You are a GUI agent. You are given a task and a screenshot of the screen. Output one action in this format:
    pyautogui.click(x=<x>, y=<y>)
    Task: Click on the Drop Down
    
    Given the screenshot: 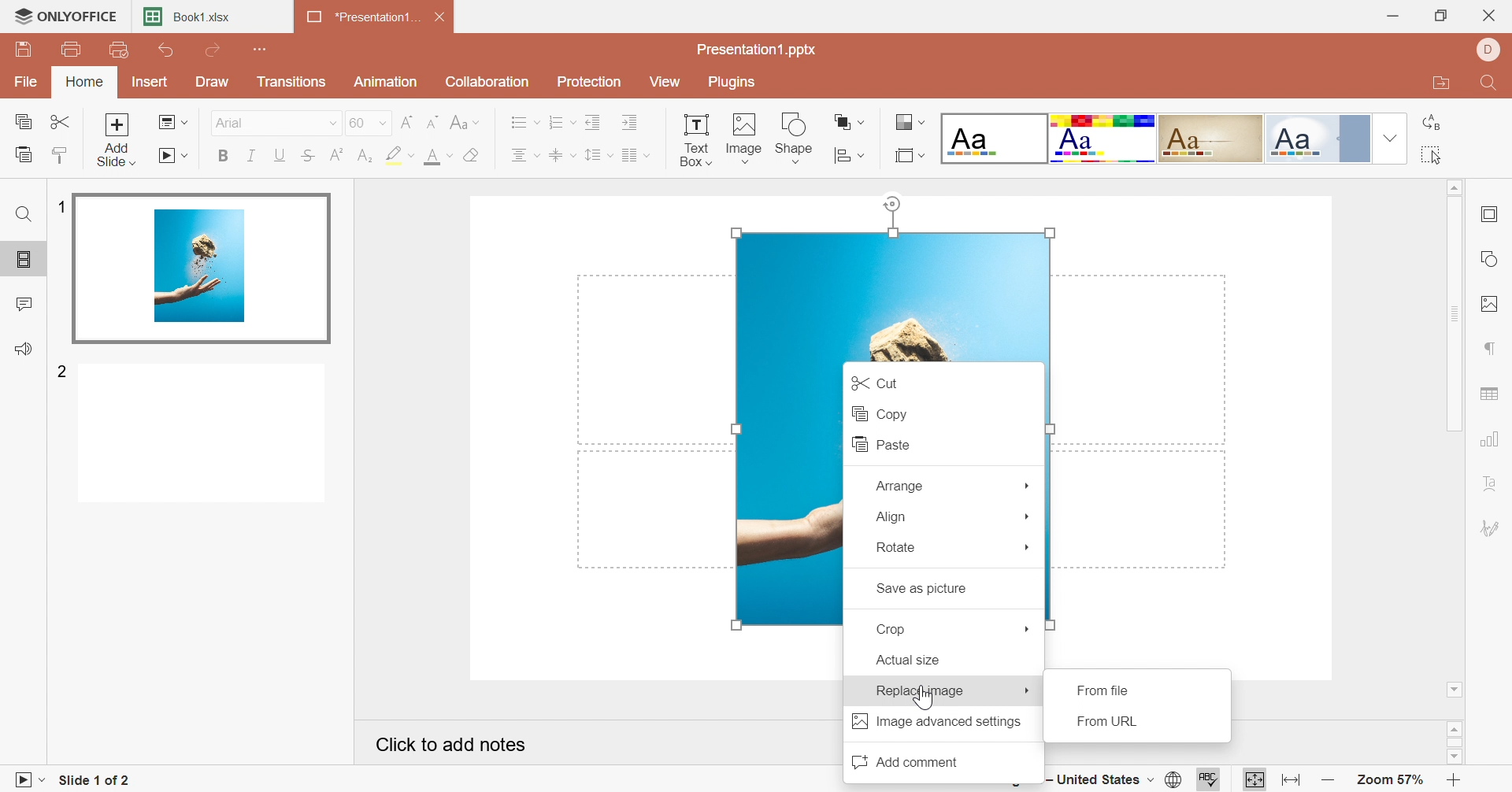 What is the action you would take?
    pyautogui.click(x=1387, y=138)
    